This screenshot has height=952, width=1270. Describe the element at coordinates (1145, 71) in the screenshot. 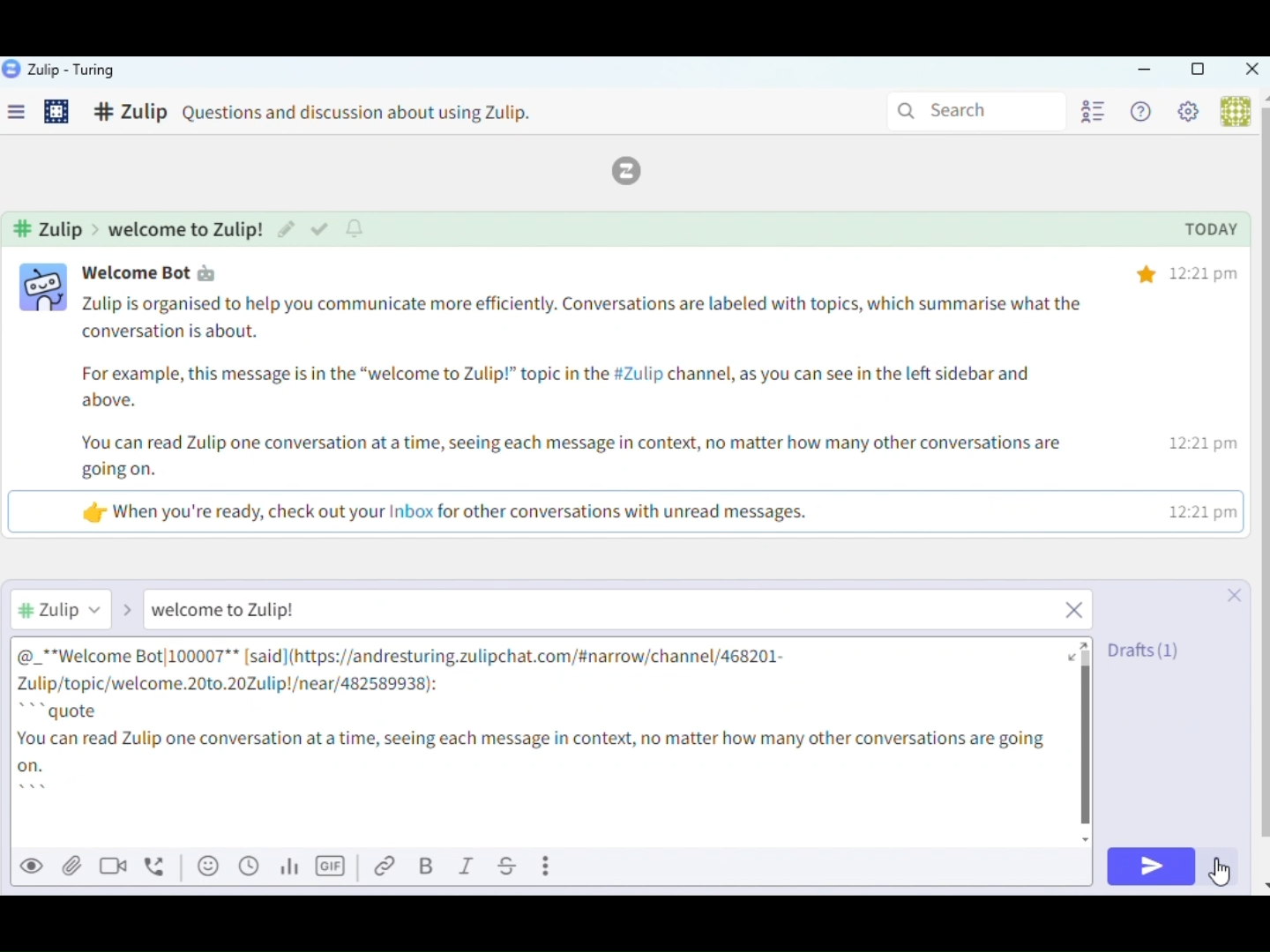

I see `Minimize` at that location.